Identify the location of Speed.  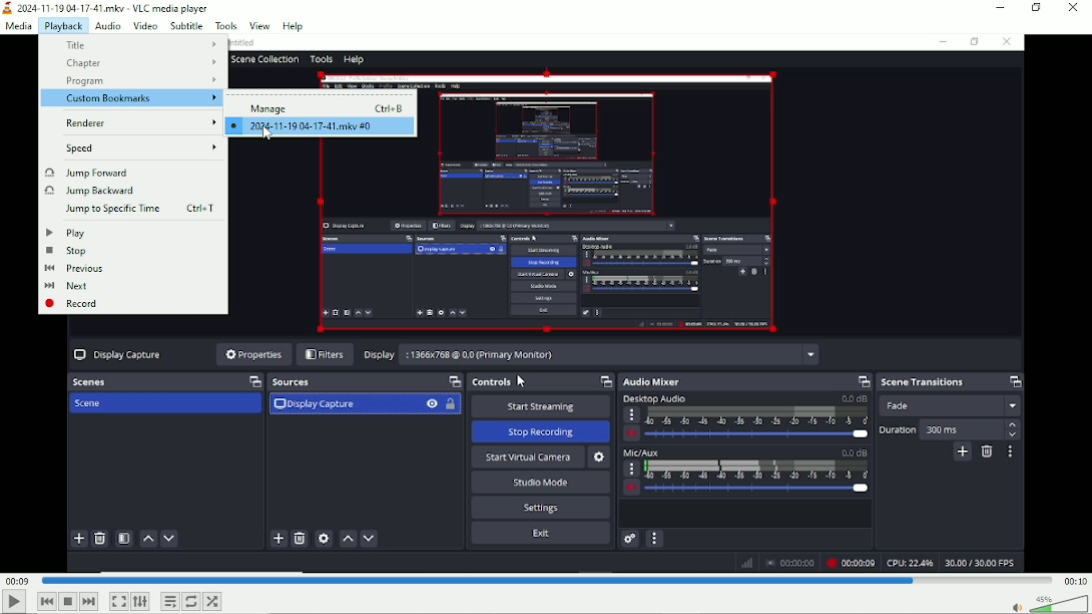
(139, 148).